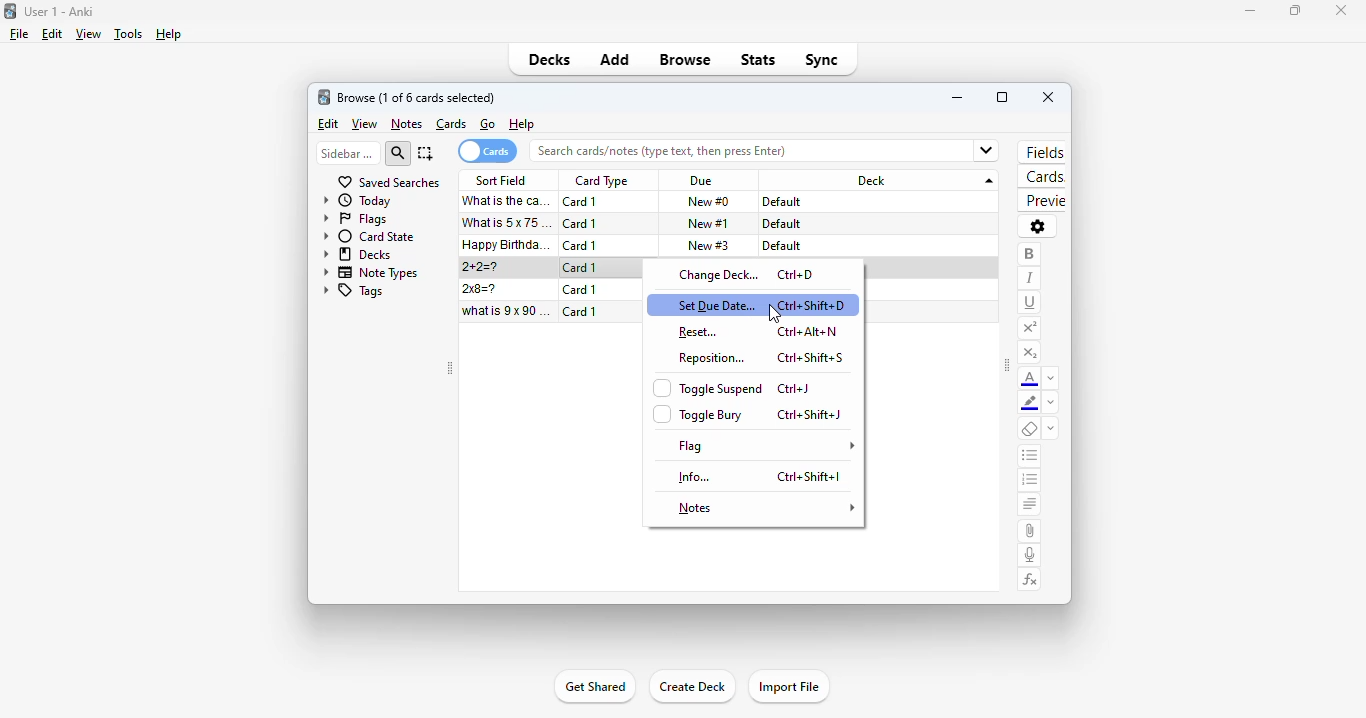 The image size is (1366, 718). What do you see at coordinates (1030, 404) in the screenshot?
I see `text highlighting color` at bounding box center [1030, 404].